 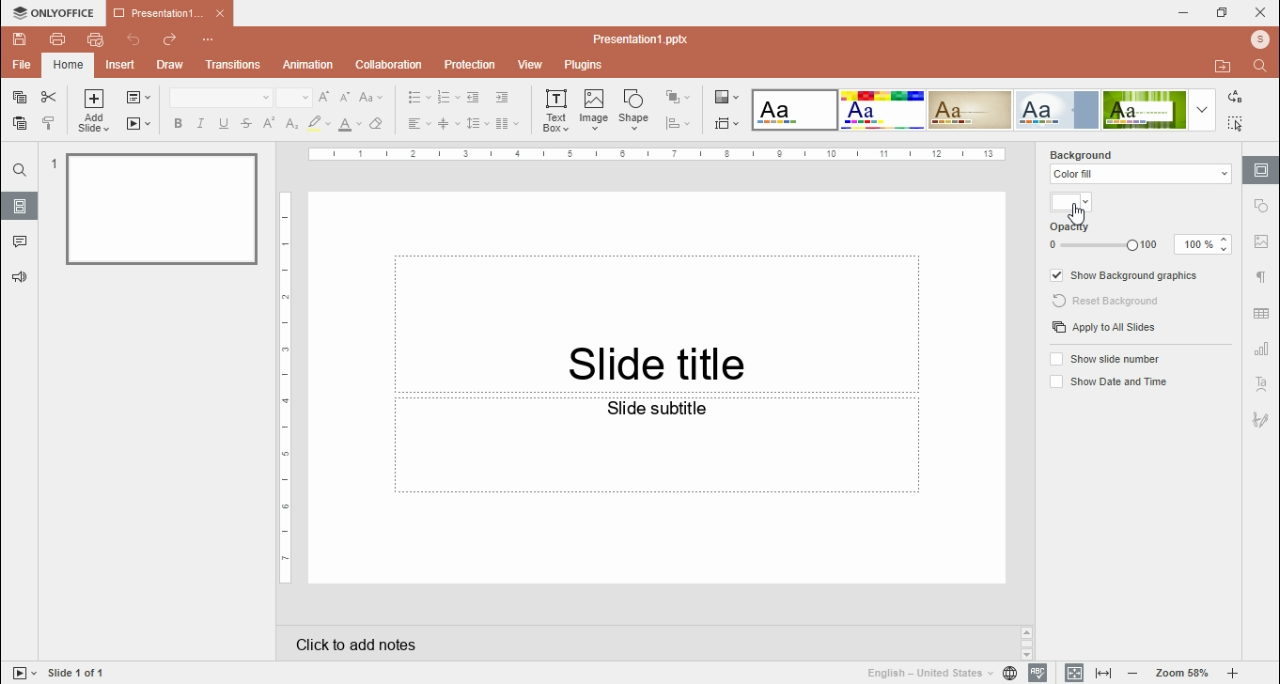 I want to click on select all, so click(x=1236, y=124).